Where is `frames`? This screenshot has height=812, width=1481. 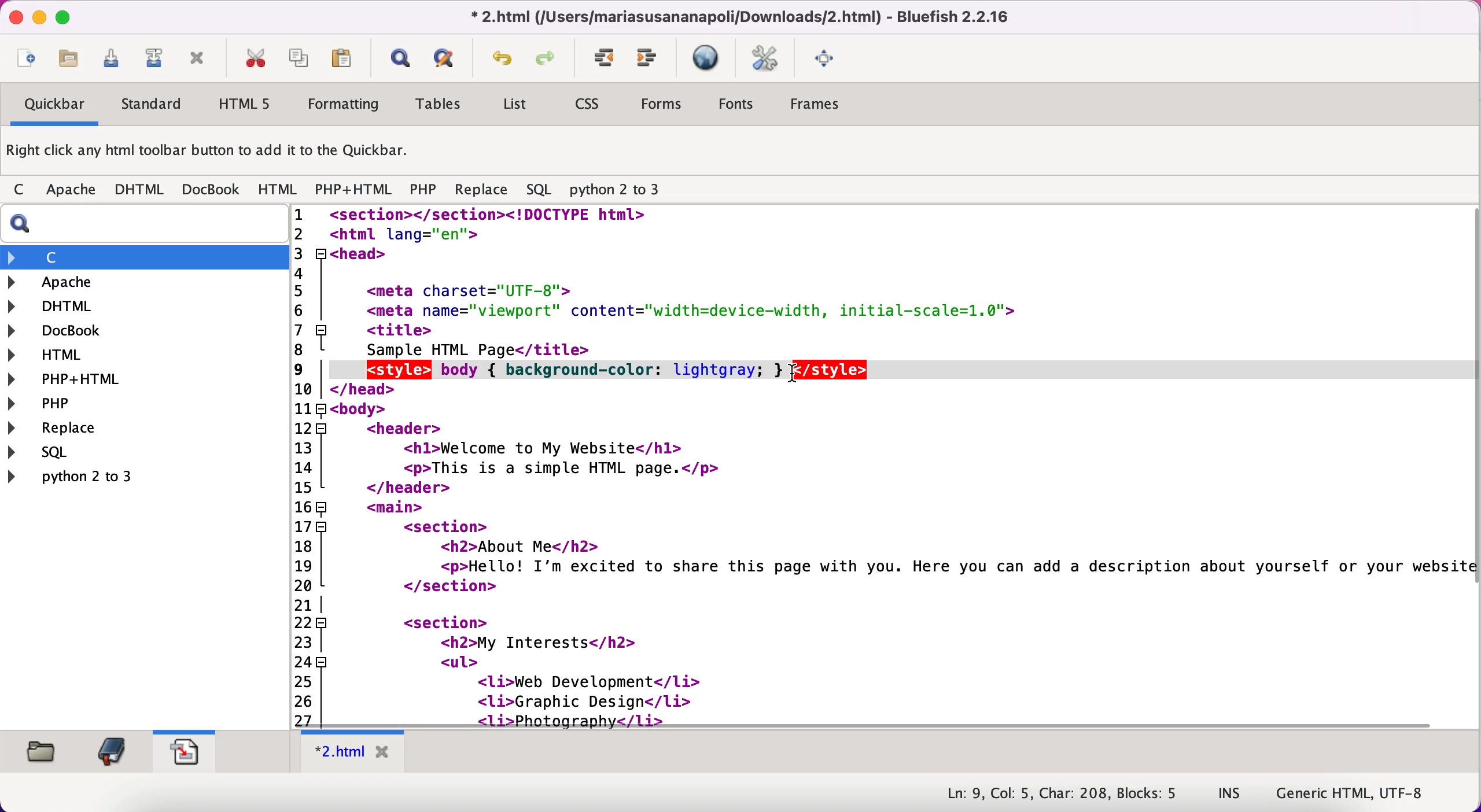 frames is located at coordinates (818, 104).